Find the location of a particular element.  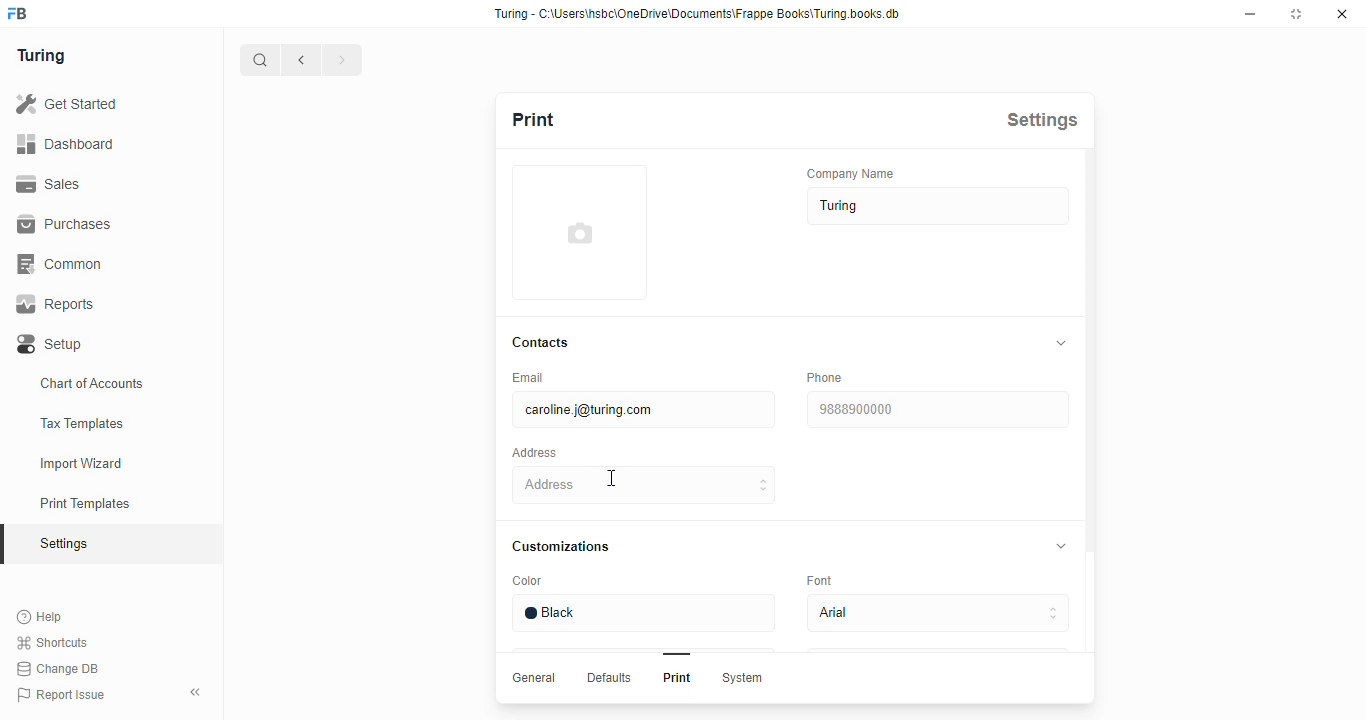

email is located at coordinates (530, 377).